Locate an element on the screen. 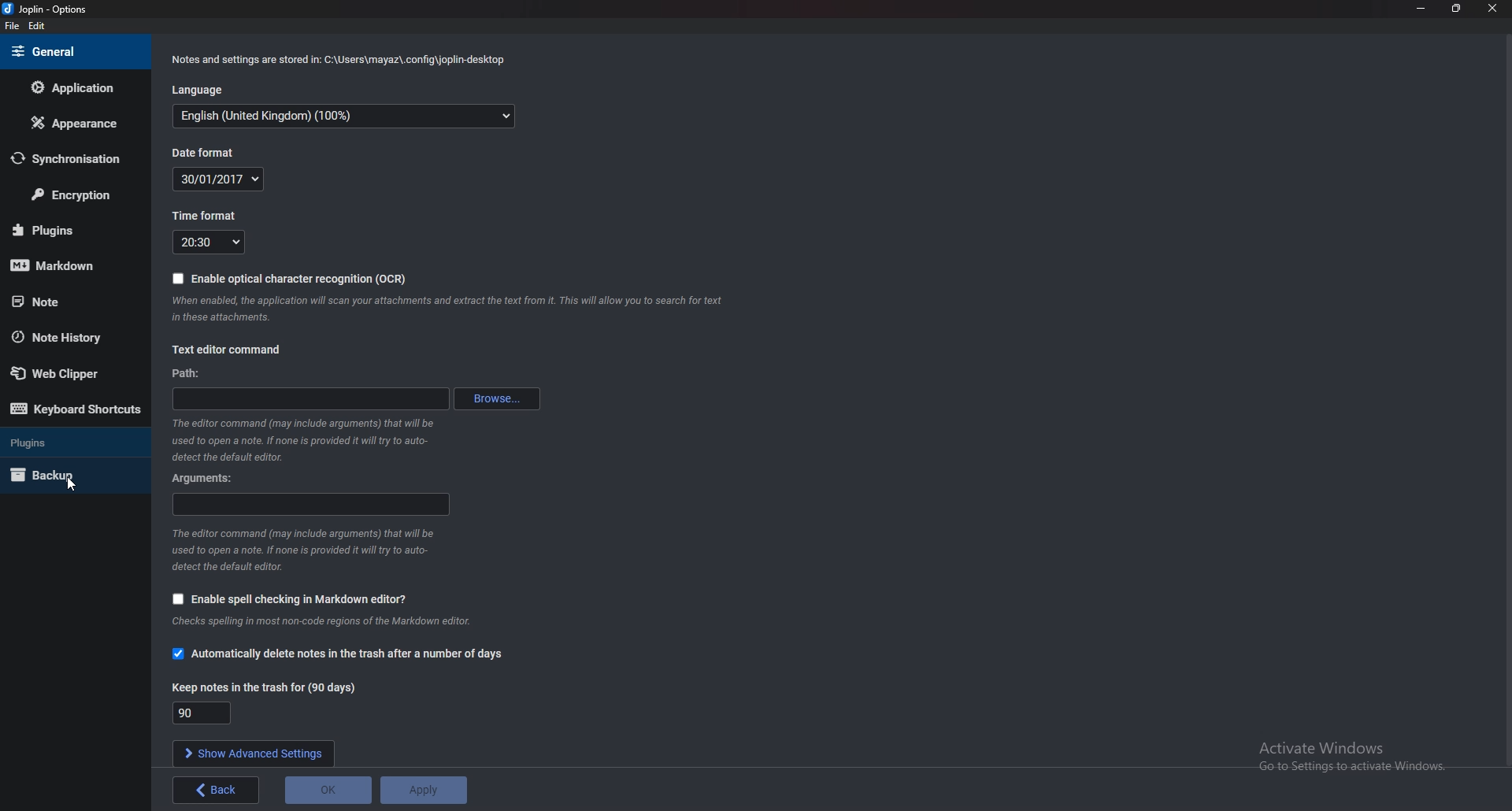 The height and width of the screenshot is (811, 1512). Apply is located at coordinates (422, 788).